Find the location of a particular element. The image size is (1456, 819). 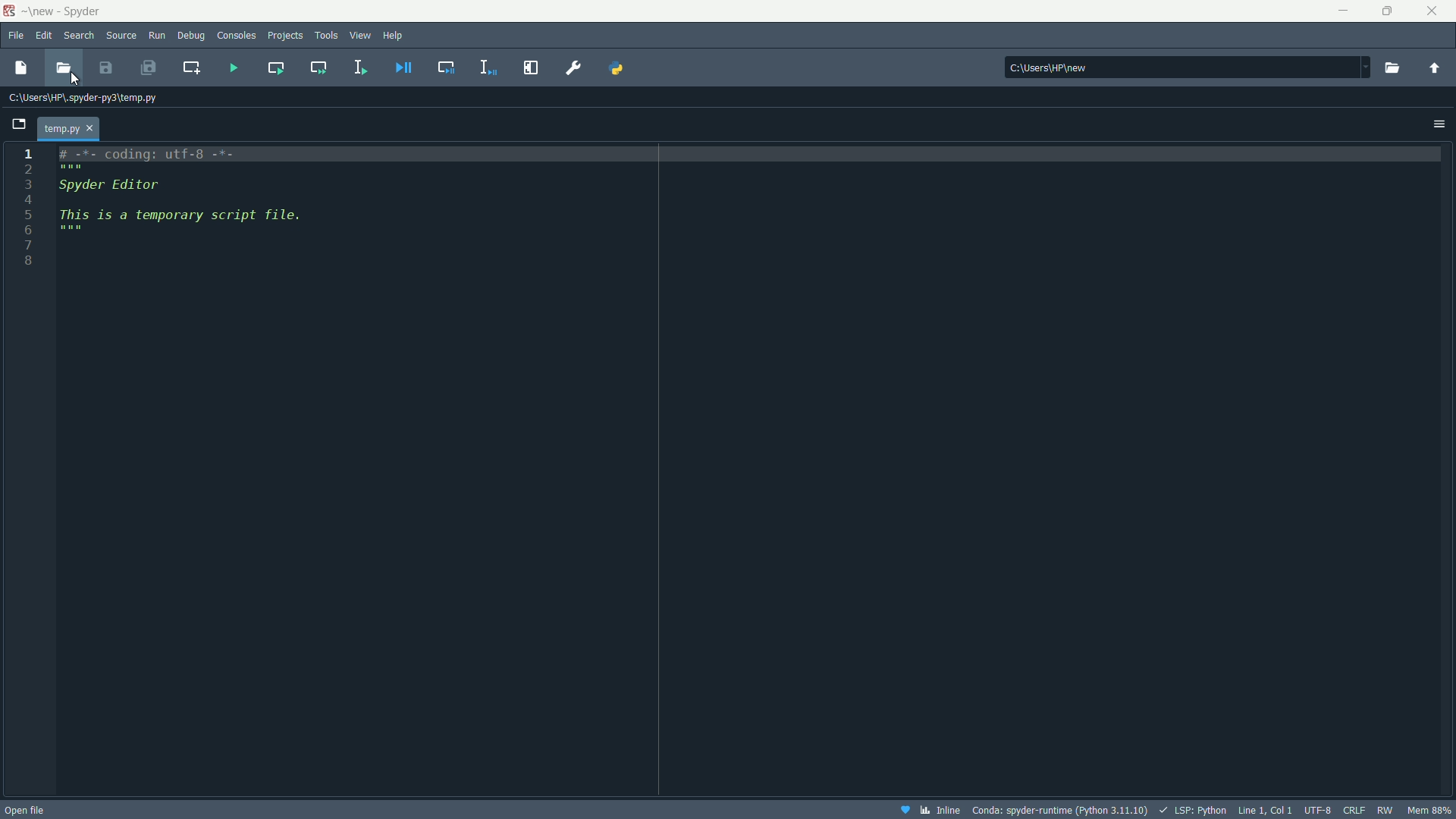

directory is located at coordinates (1188, 65).